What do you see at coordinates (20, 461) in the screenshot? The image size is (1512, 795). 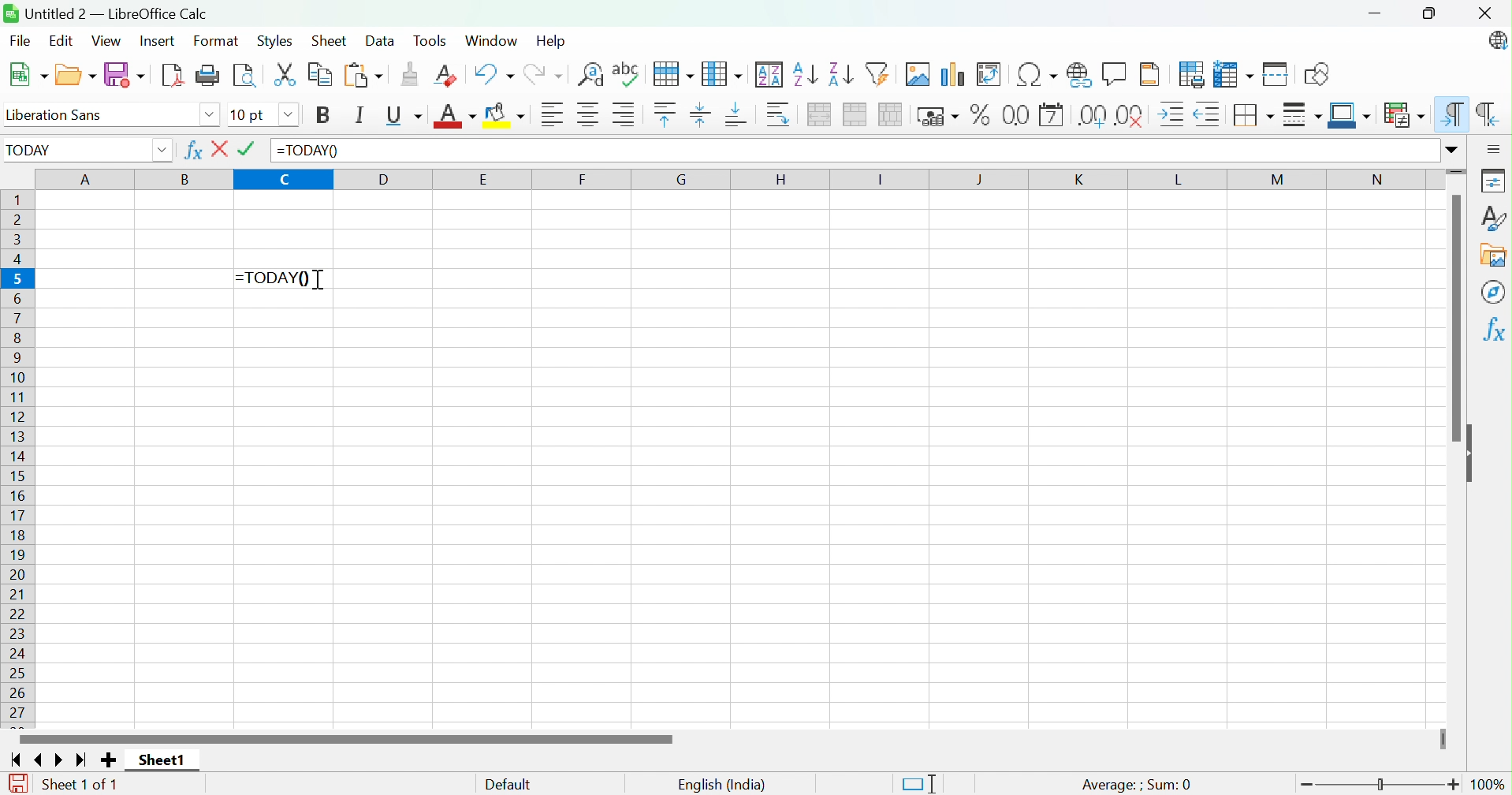 I see `Row names` at bounding box center [20, 461].